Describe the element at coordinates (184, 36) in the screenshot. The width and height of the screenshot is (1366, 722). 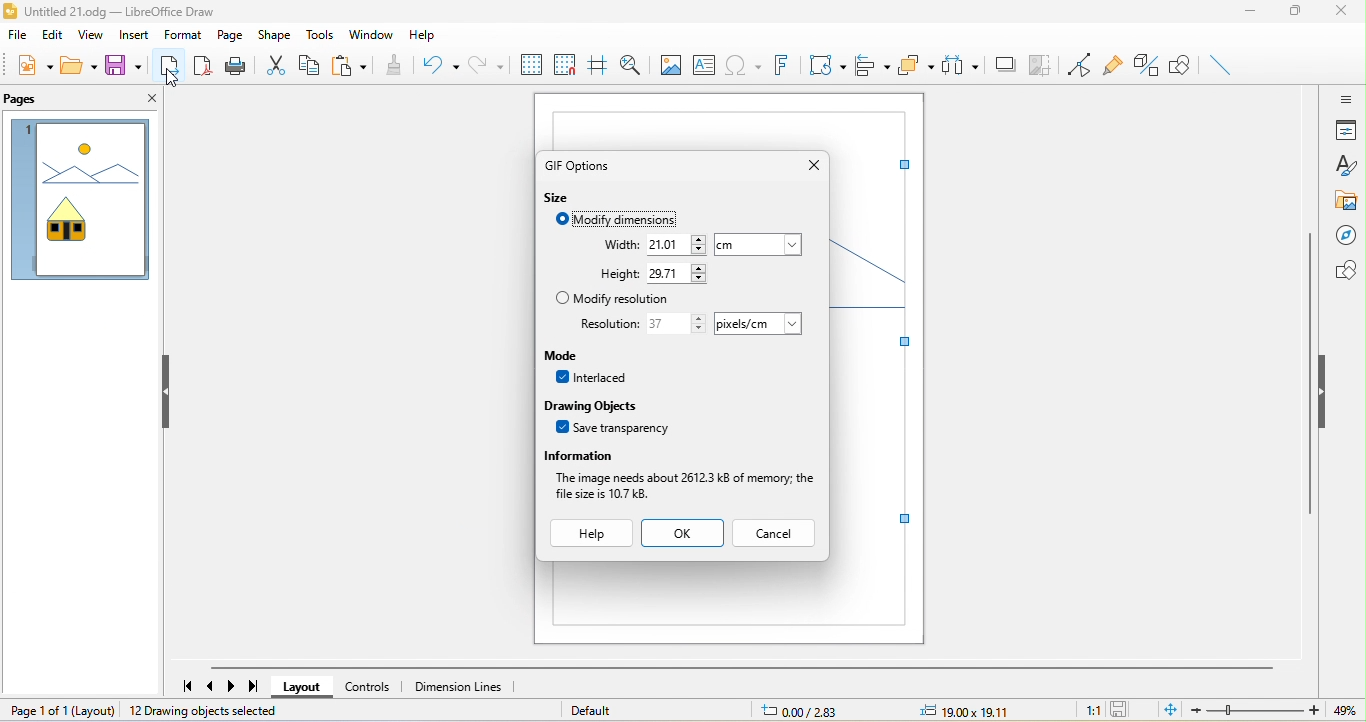
I see `format` at that location.